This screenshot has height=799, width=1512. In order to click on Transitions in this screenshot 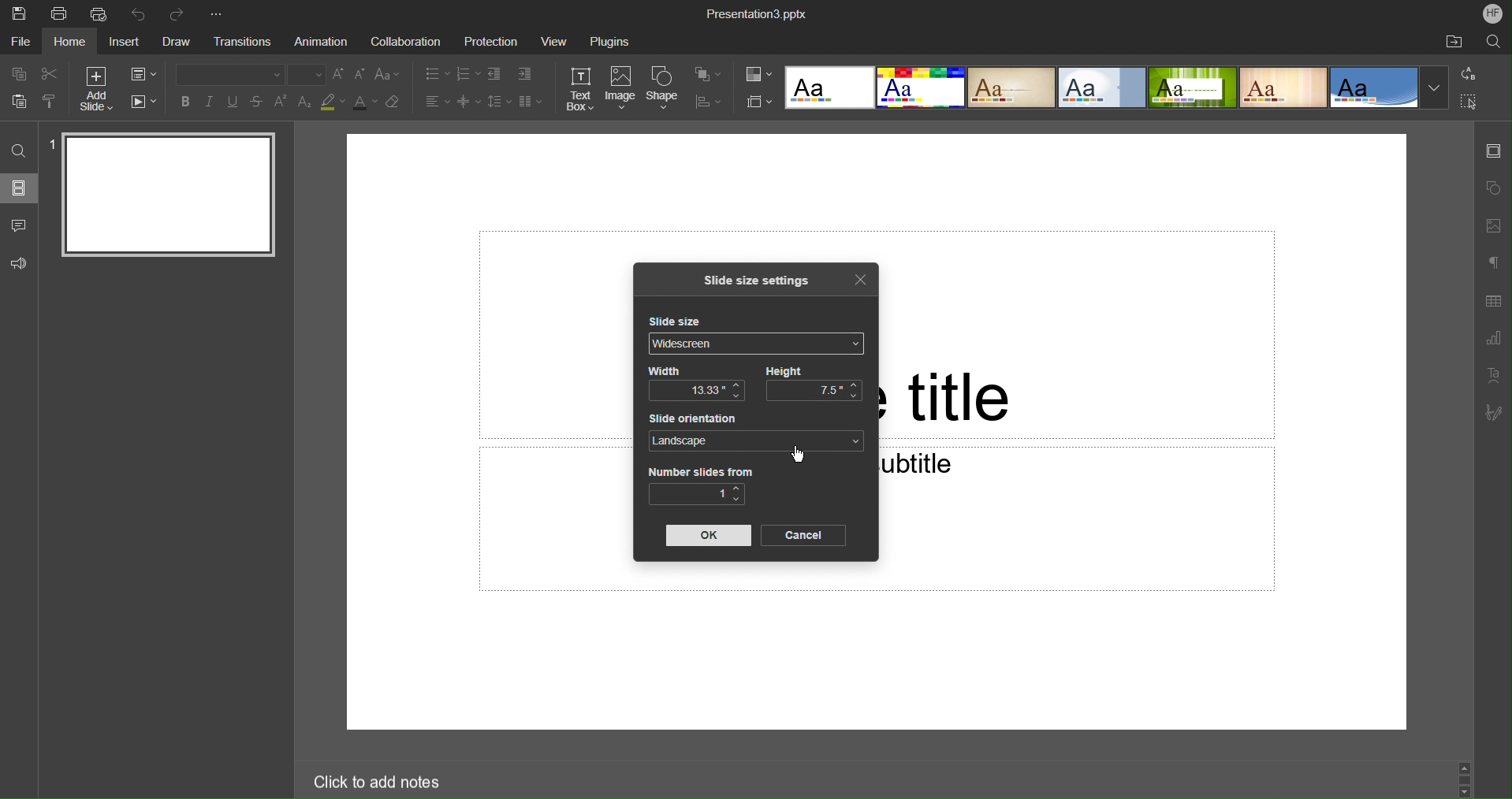, I will do `click(247, 41)`.